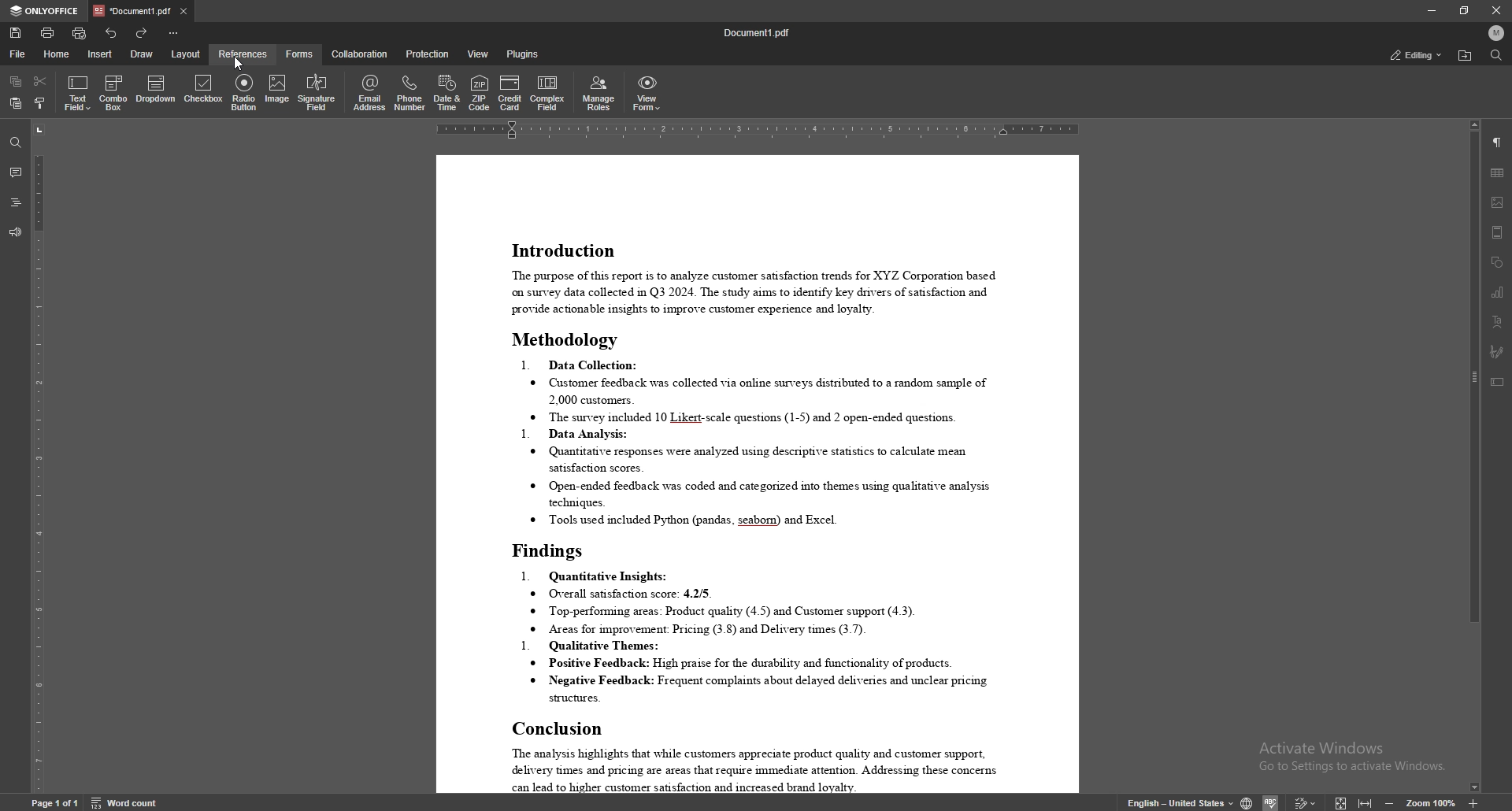  I want to click on draw, so click(140, 54).